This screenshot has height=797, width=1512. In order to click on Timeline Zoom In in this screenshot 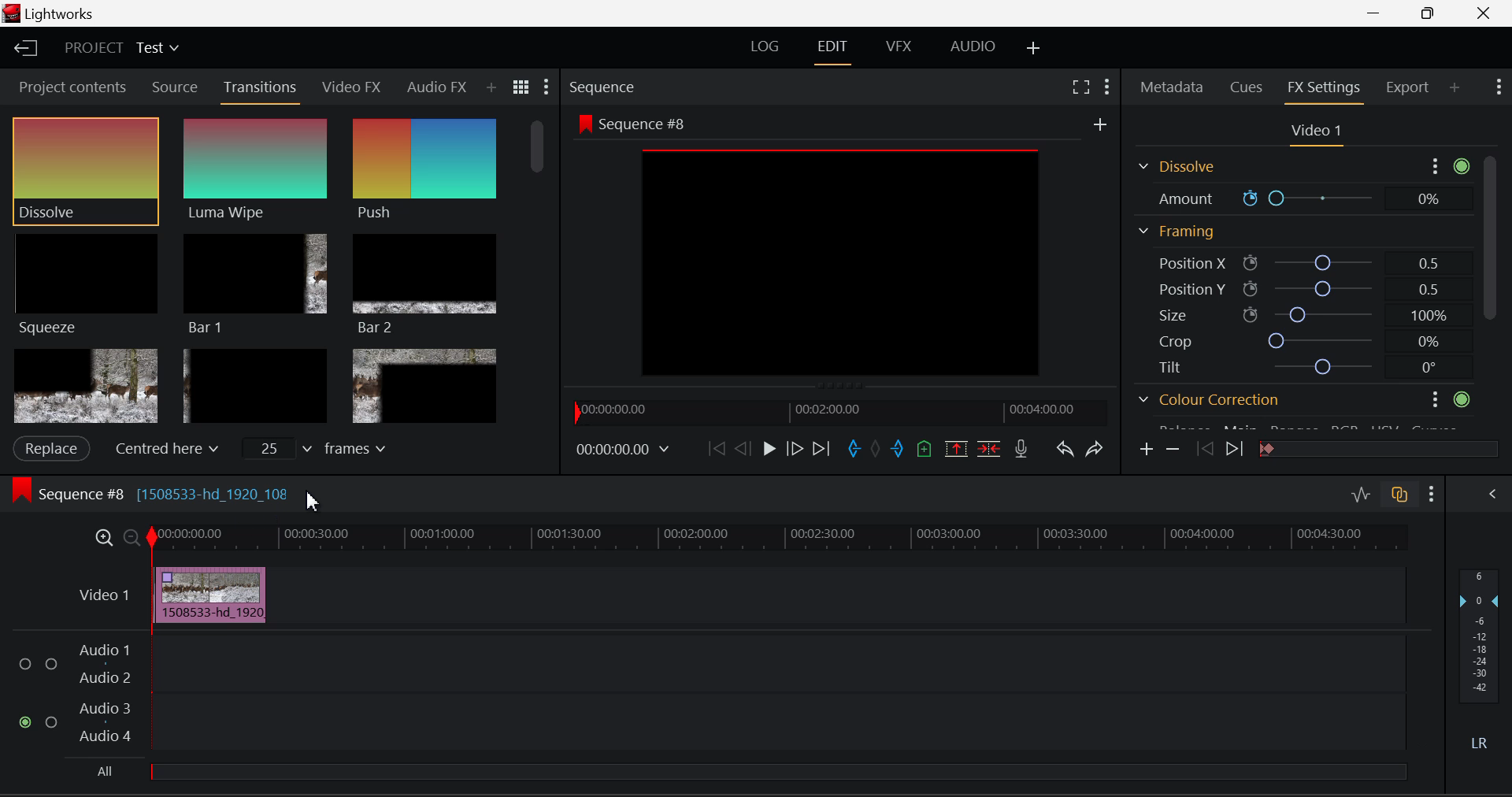, I will do `click(103, 539)`.